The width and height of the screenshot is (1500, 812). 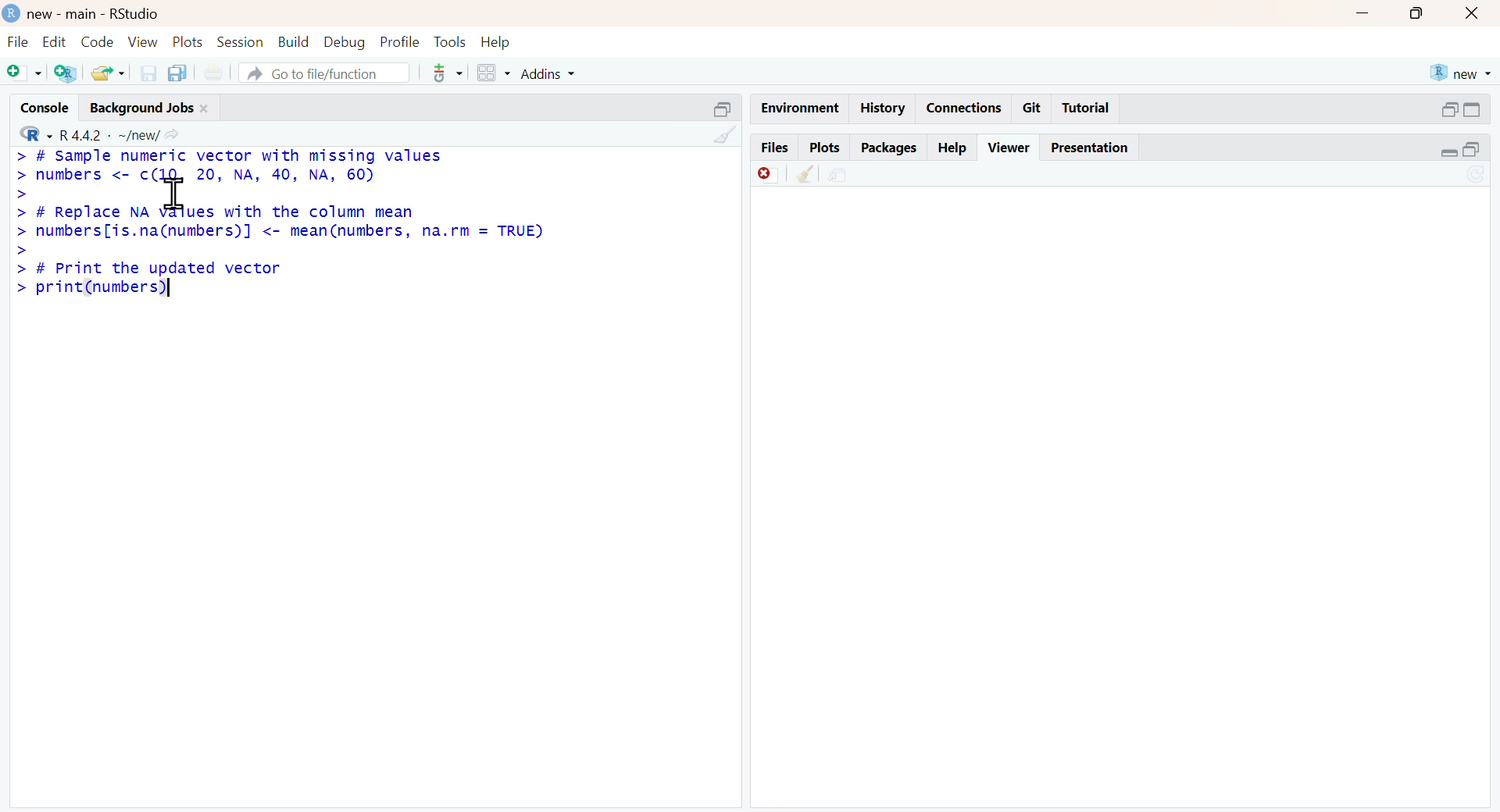 I want to click on help, so click(x=953, y=149).